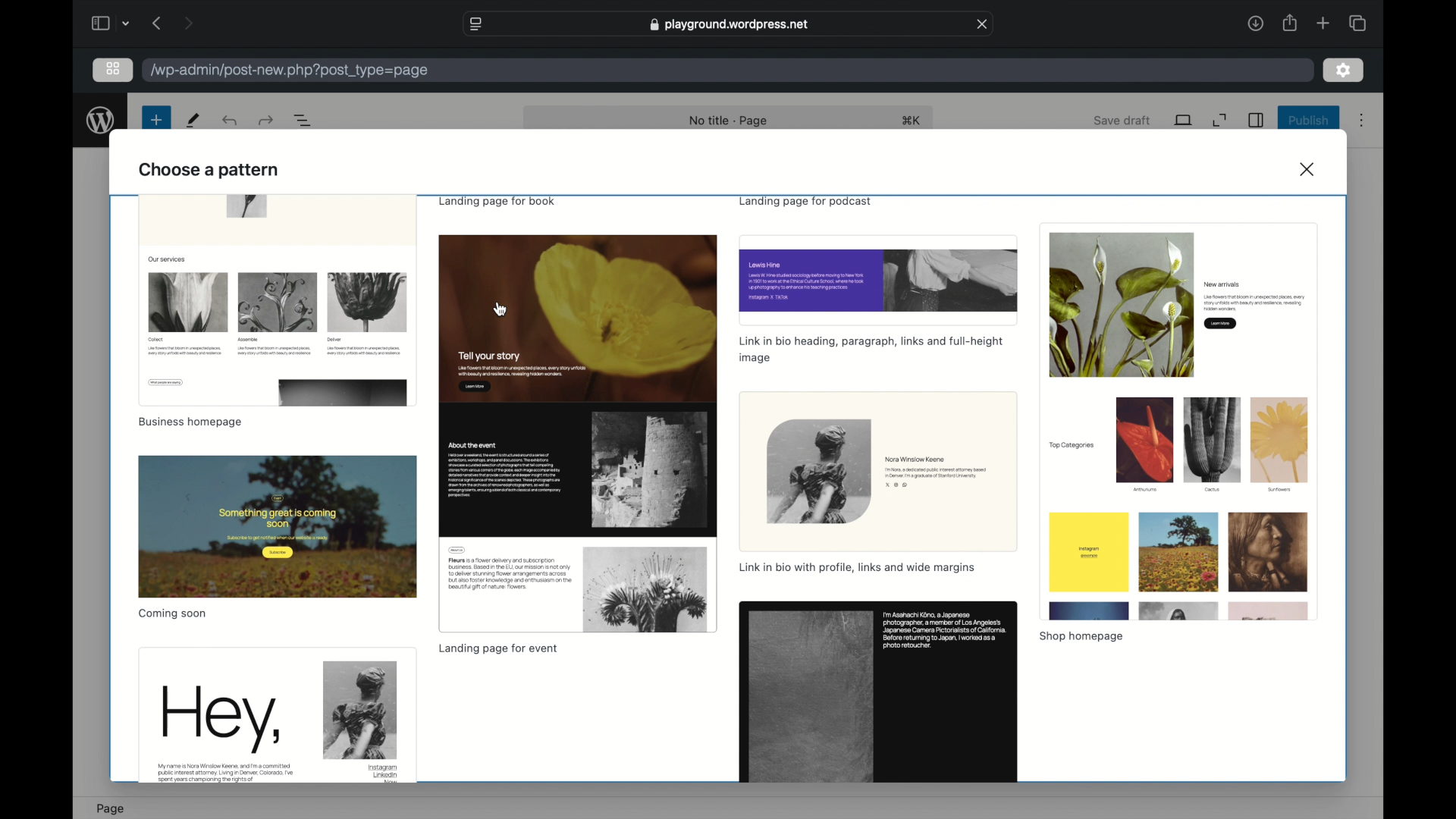  I want to click on wordpress address, so click(290, 71).